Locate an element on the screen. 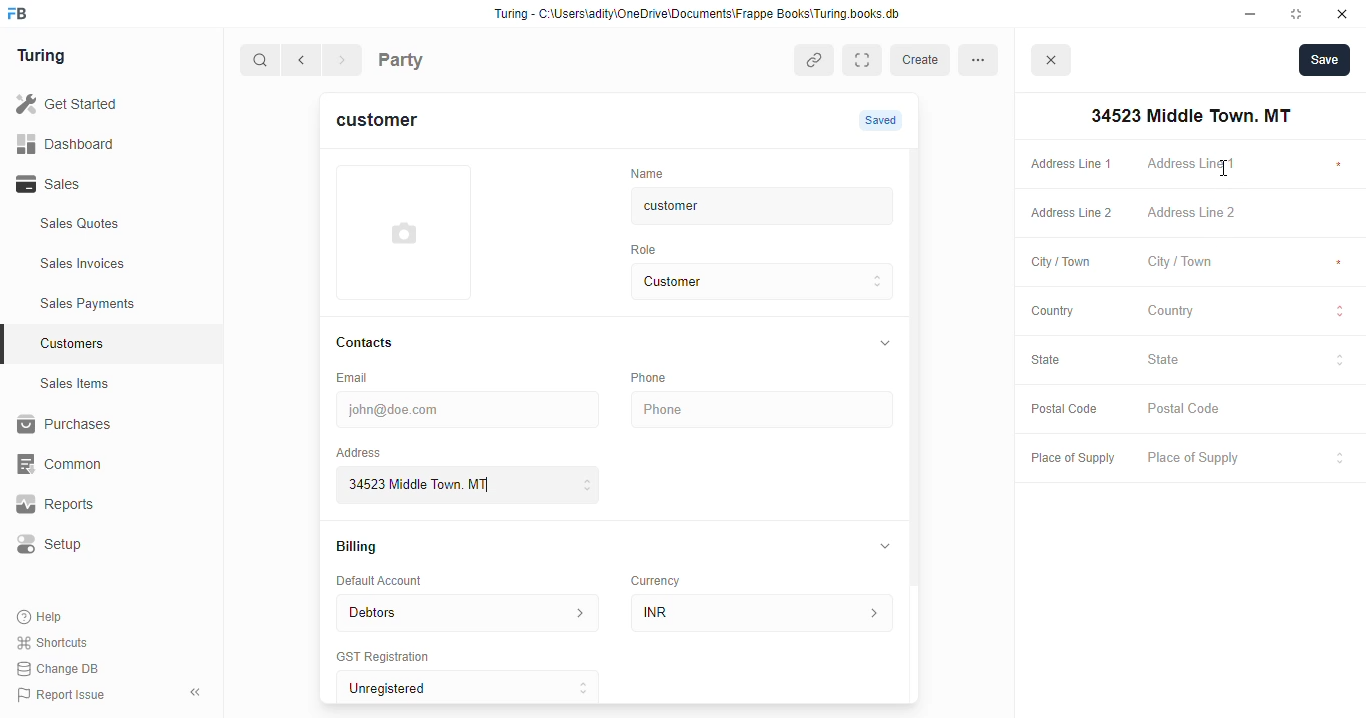 The height and width of the screenshot is (718, 1366). ‘Name is located at coordinates (652, 172).